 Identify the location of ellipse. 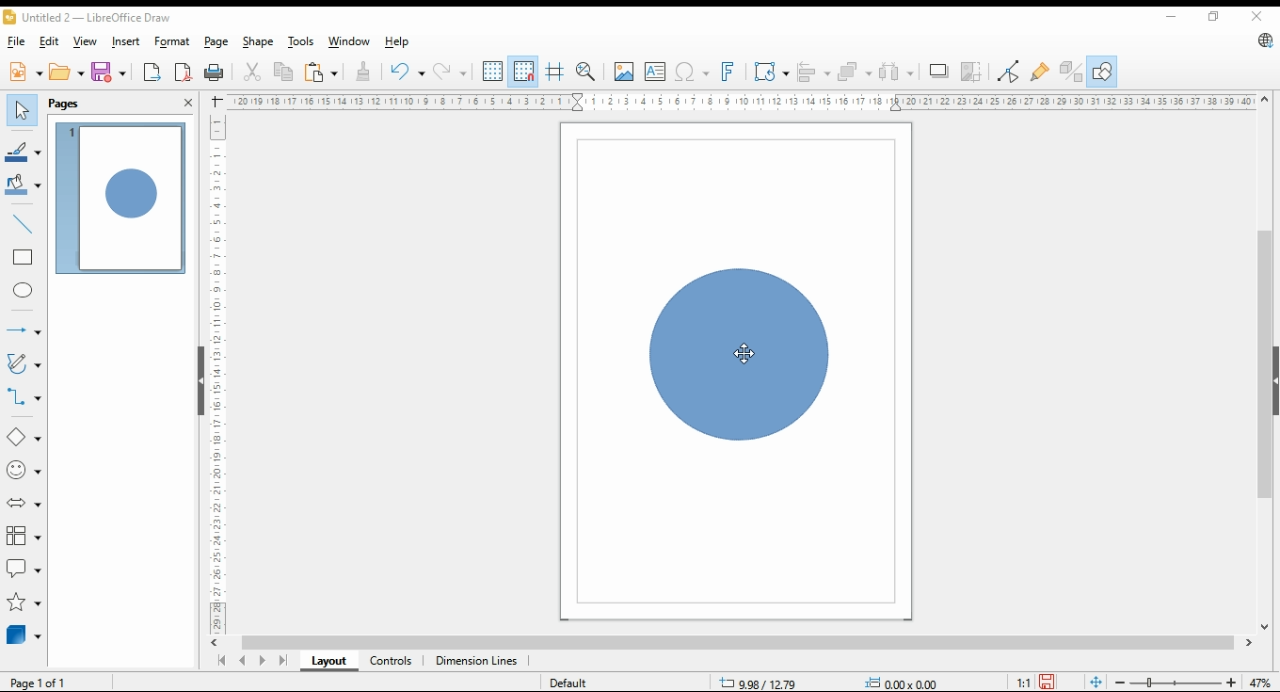
(22, 290).